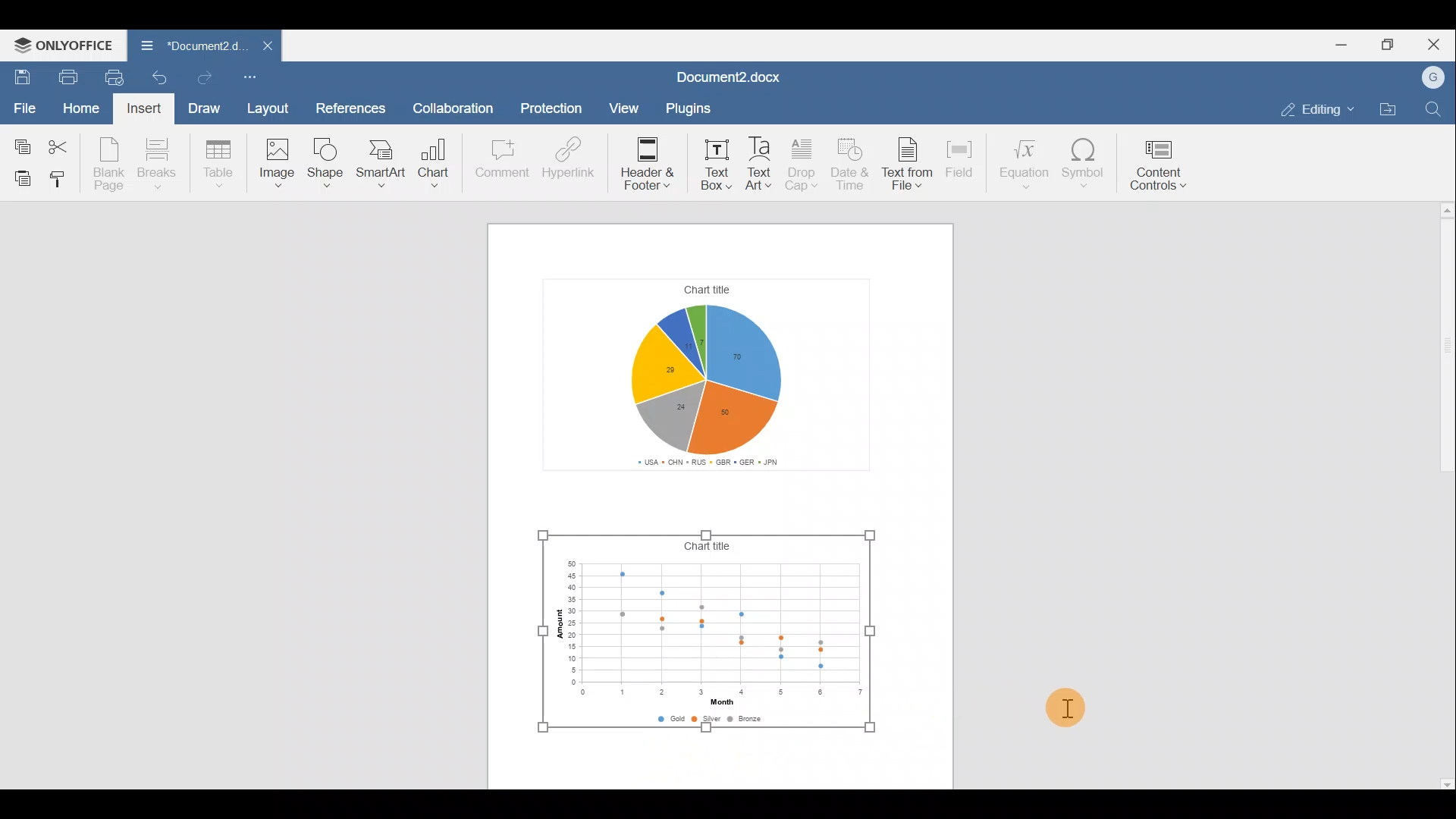 The width and height of the screenshot is (1456, 819). I want to click on References, so click(352, 104).